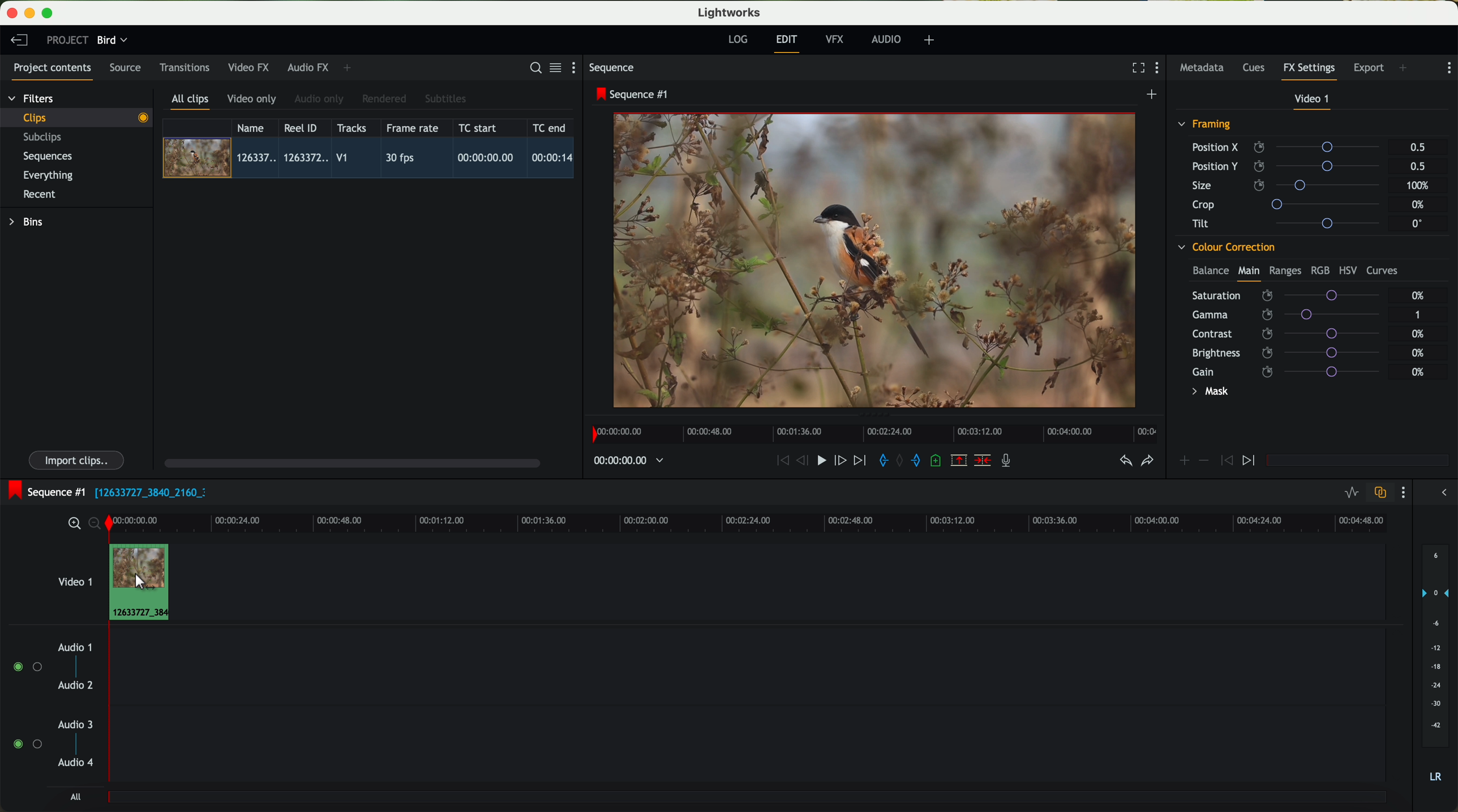  I want to click on curves, so click(1382, 271).